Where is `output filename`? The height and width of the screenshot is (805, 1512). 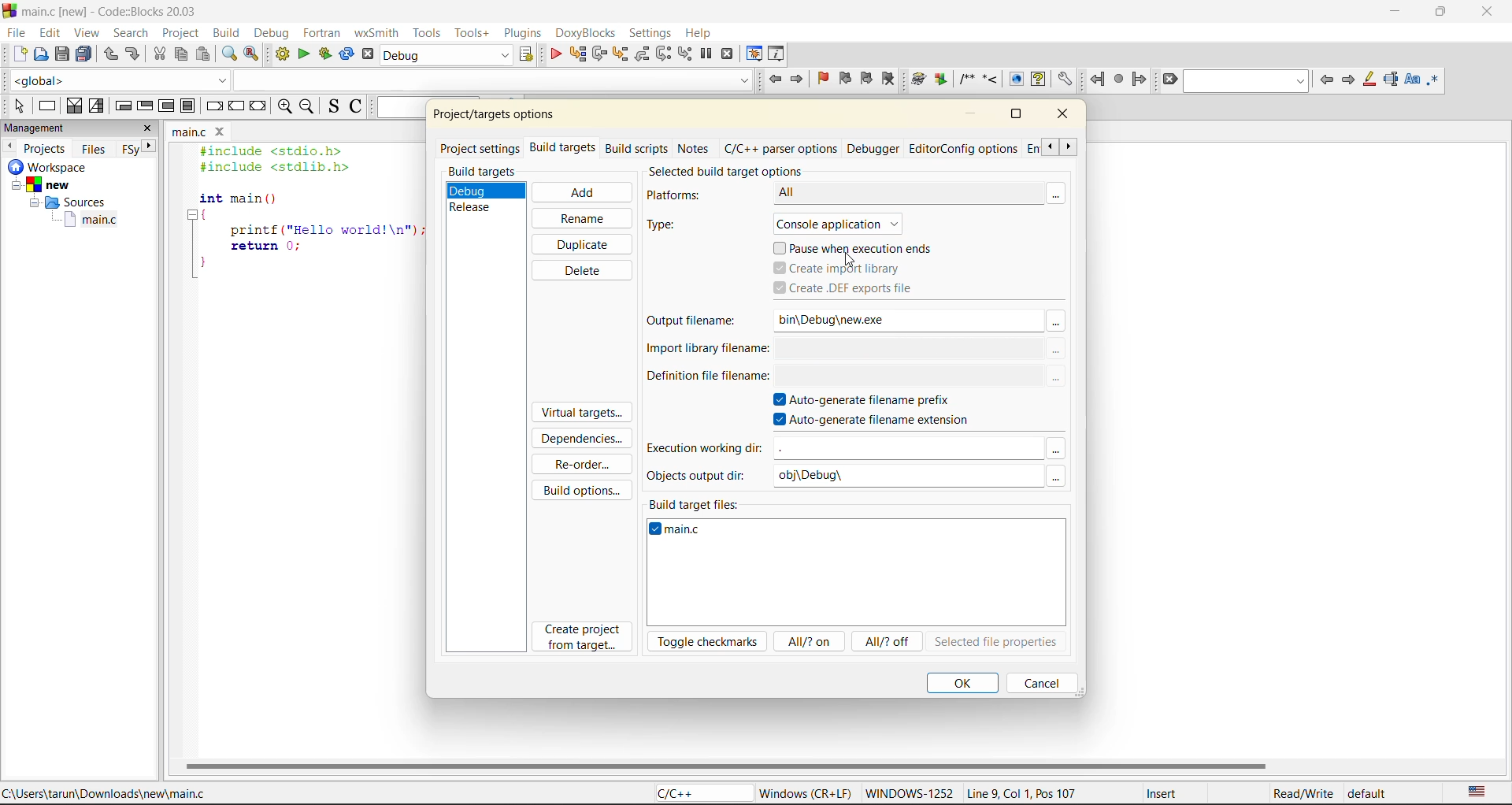 output filename is located at coordinates (697, 322).